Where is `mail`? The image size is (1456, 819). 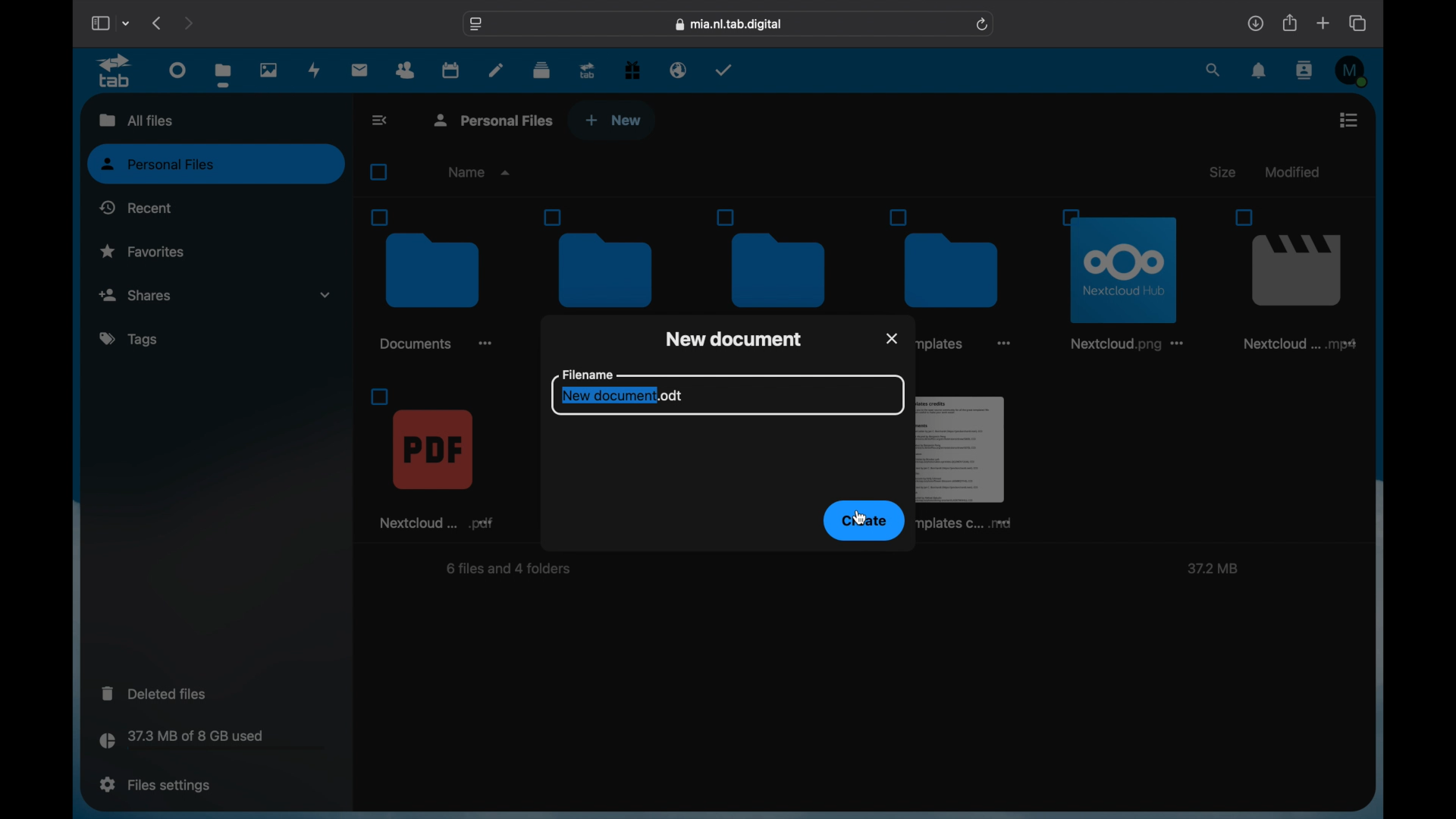 mail is located at coordinates (360, 71).